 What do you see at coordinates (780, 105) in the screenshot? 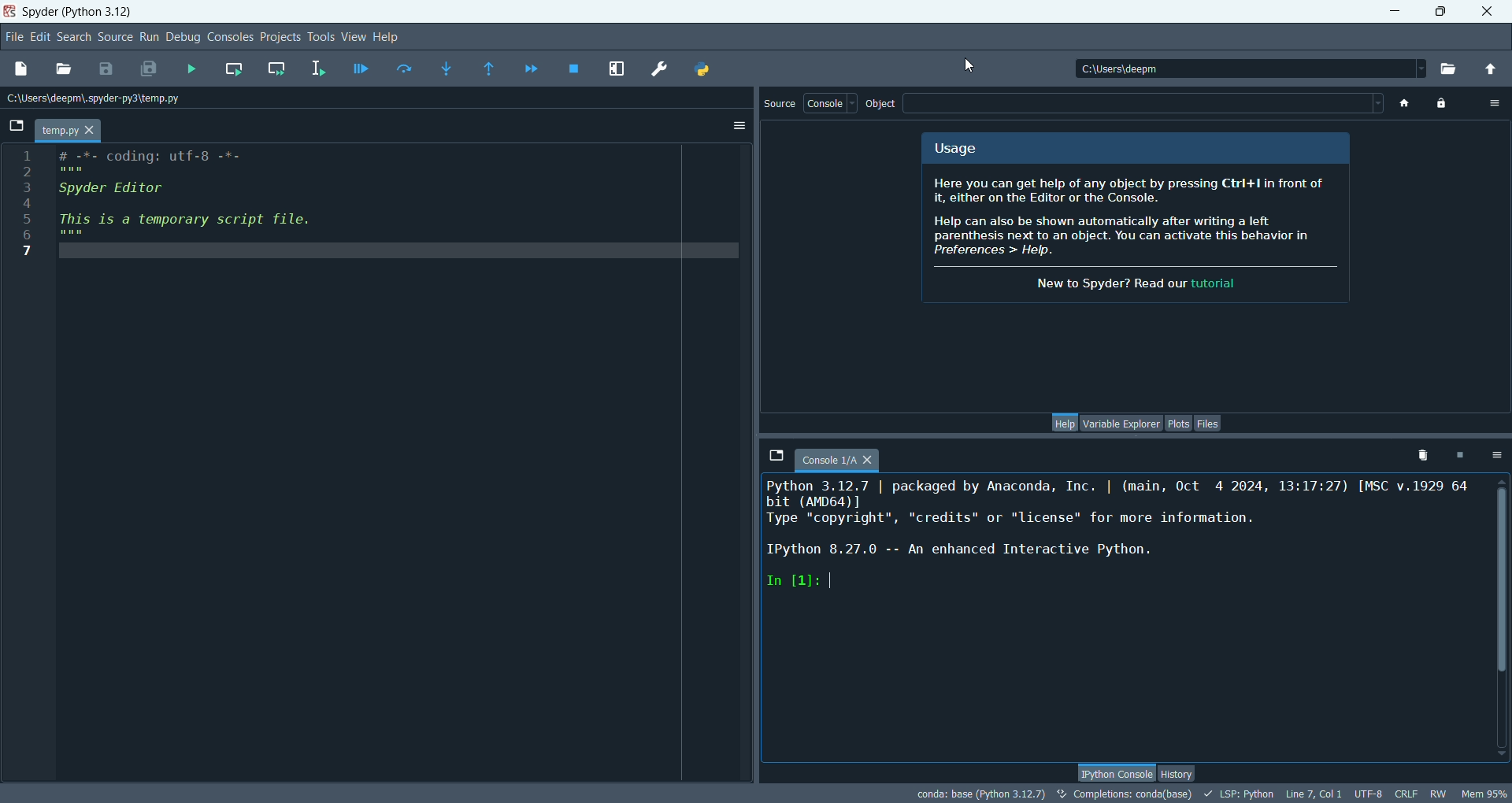
I see `source` at bounding box center [780, 105].